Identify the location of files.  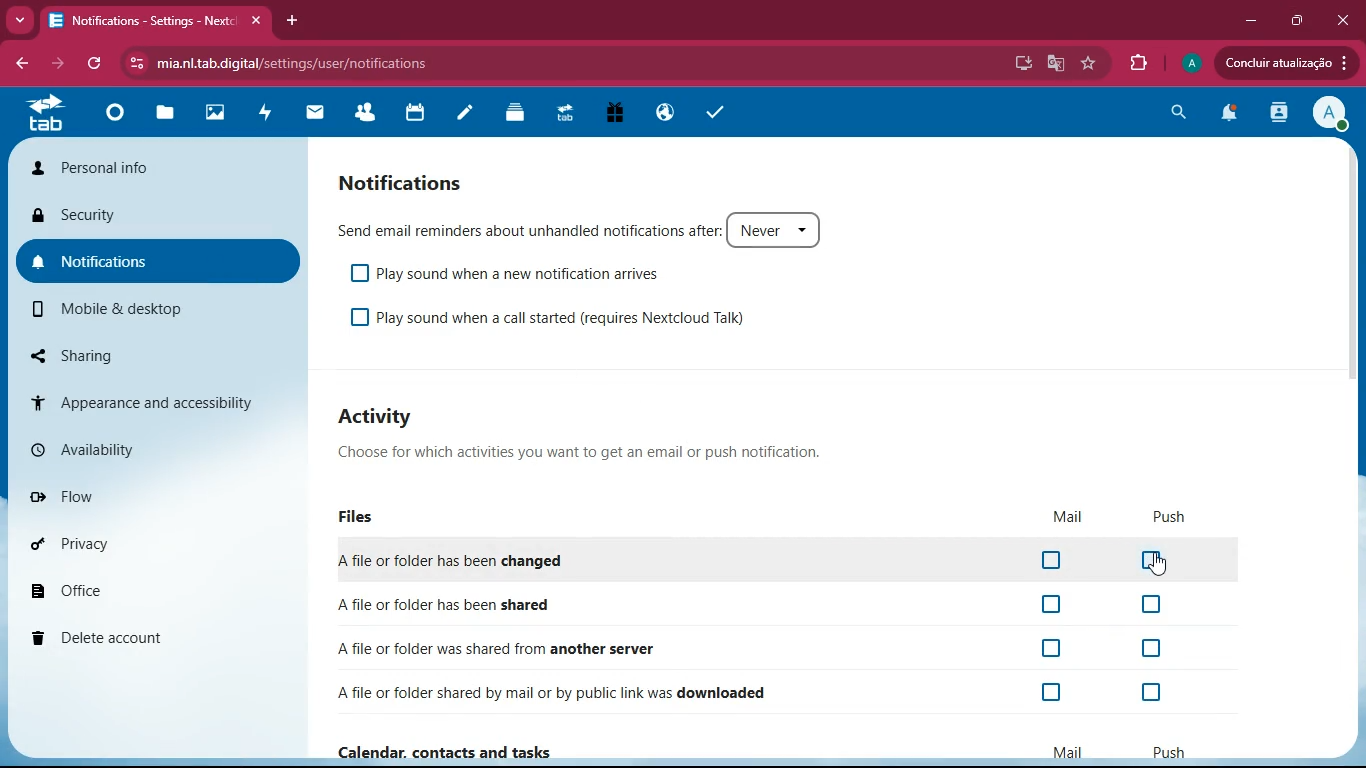
(359, 517).